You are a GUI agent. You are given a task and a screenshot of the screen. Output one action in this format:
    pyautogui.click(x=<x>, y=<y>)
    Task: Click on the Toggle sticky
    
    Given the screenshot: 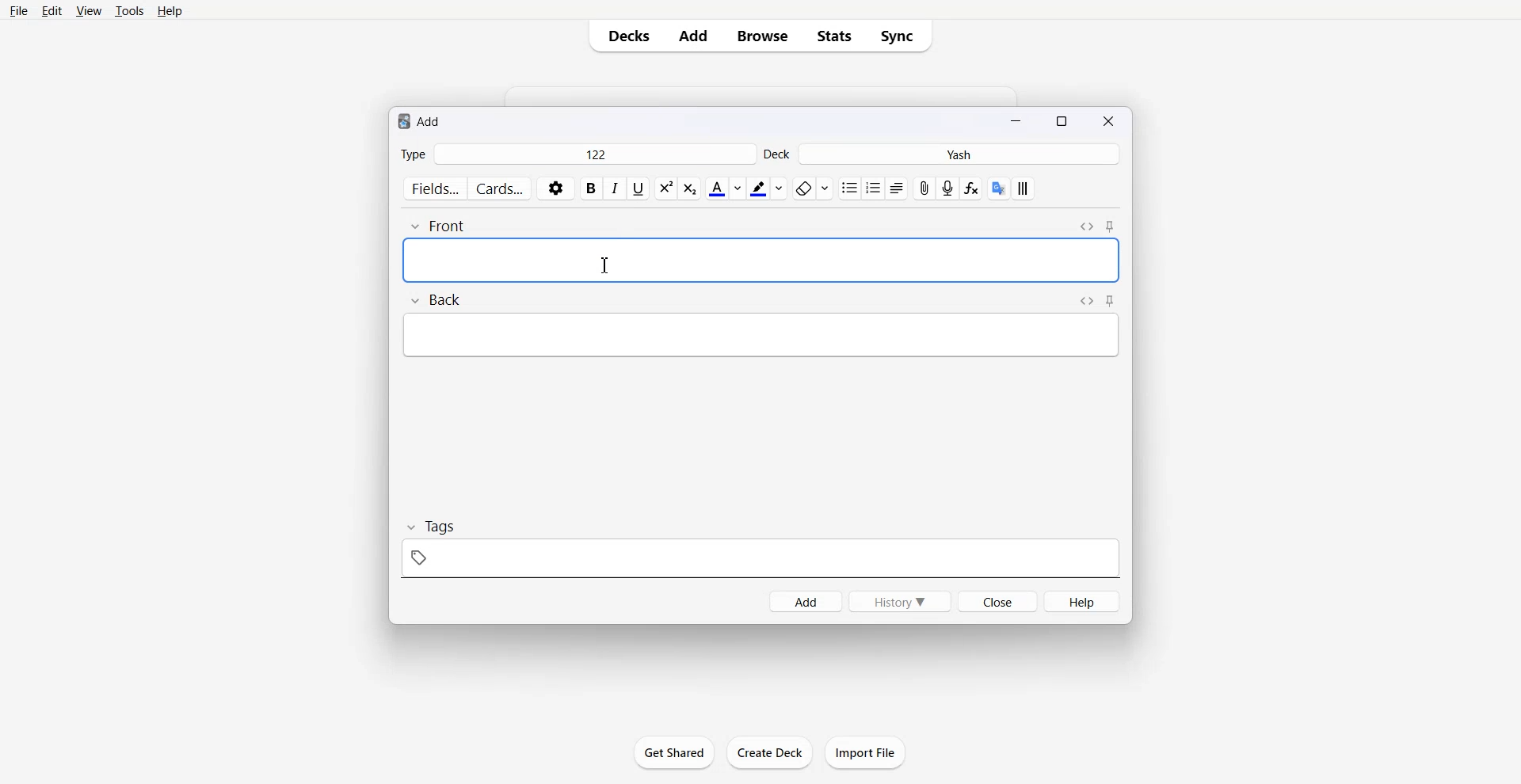 What is the action you would take?
    pyautogui.click(x=1111, y=227)
    